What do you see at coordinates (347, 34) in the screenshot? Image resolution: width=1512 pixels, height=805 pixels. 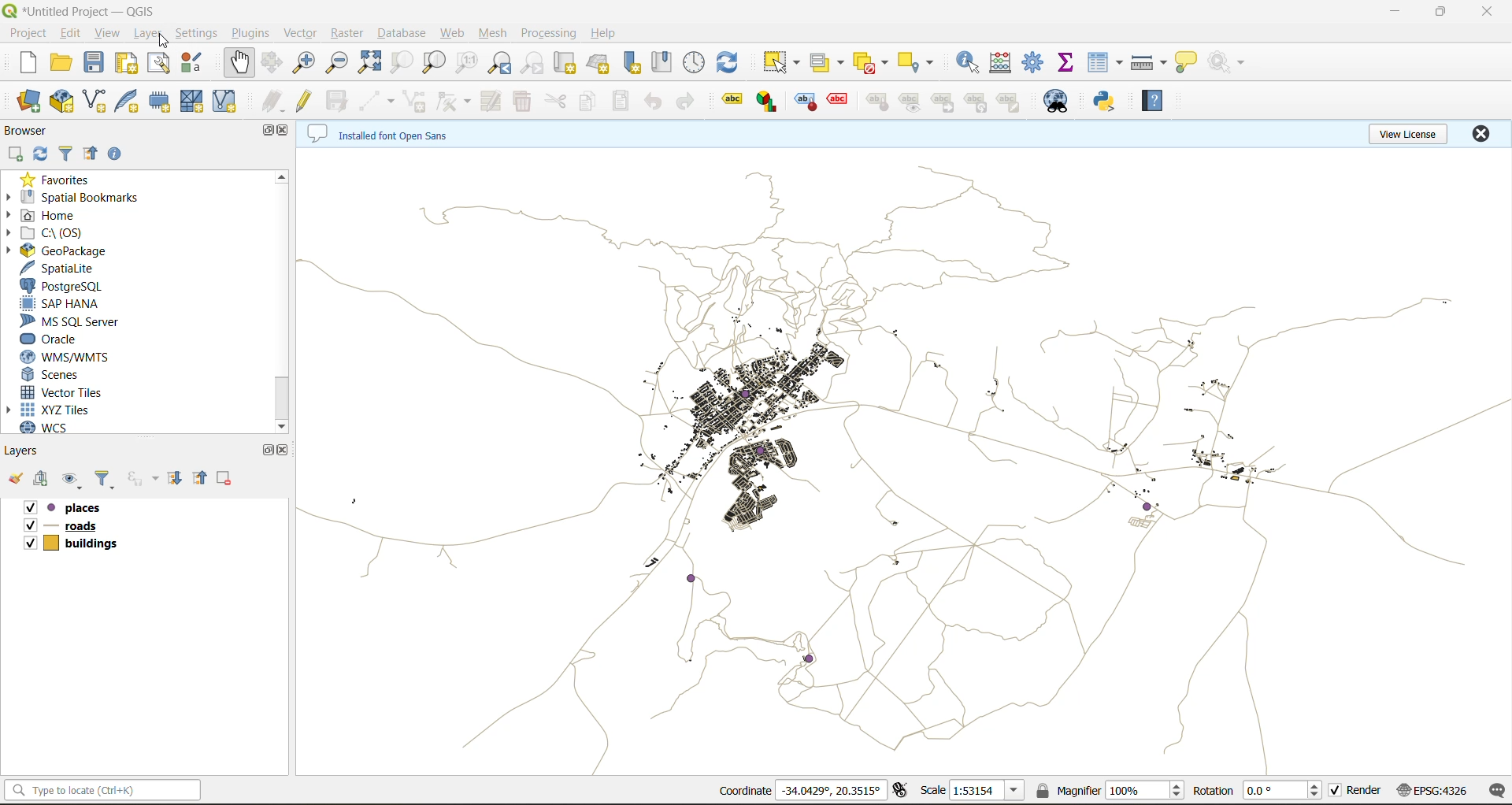 I see `raster` at bounding box center [347, 34].